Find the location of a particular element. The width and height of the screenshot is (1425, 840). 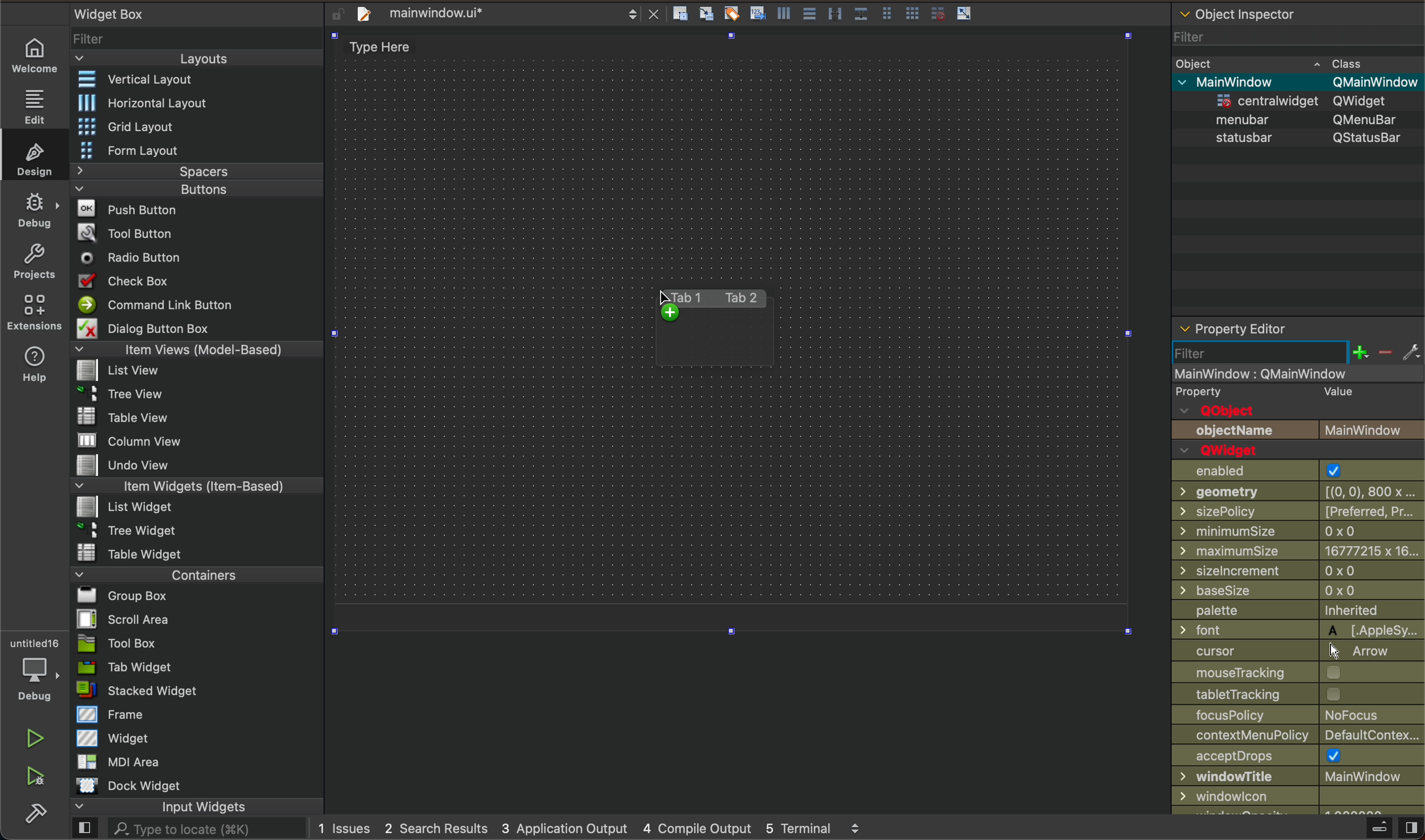

object name and Qwidget is located at coordinates (1303, 440).